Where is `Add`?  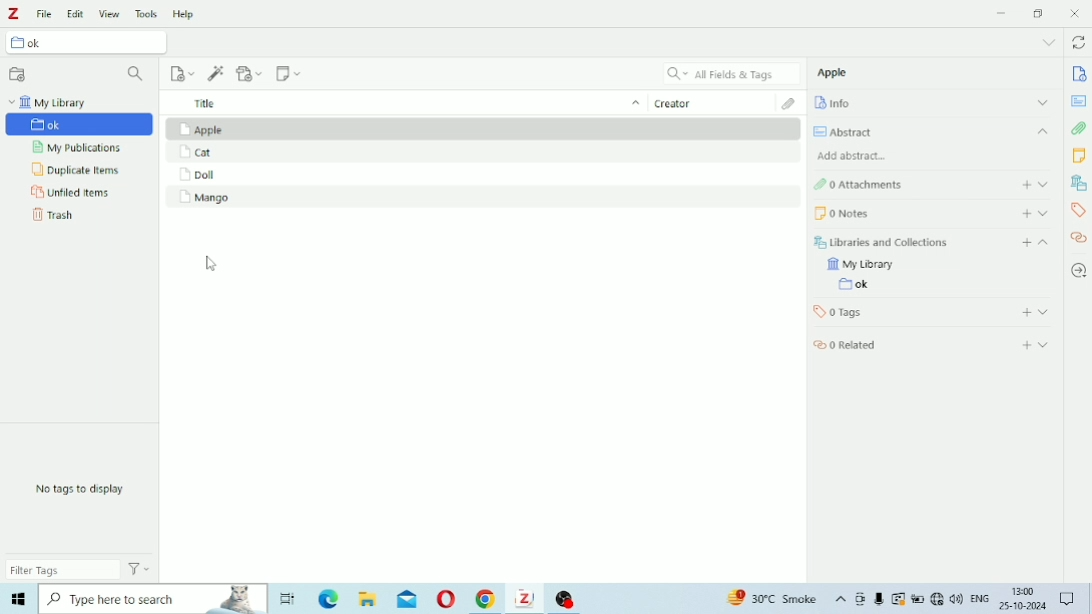
Add is located at coordinates (1026, 185).